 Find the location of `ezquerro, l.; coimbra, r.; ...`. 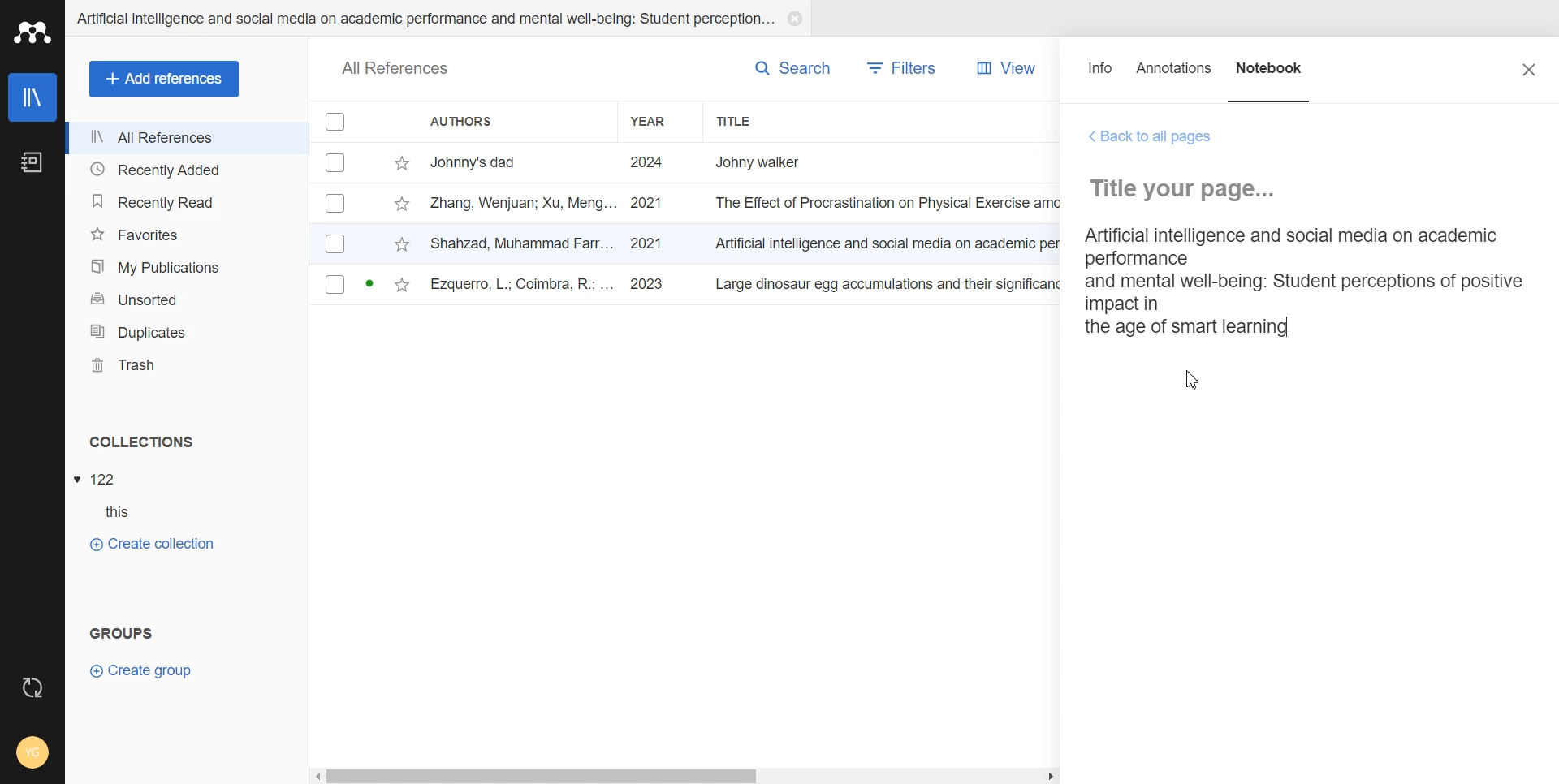

ezquerro, l.; coimbra, r.; ... is located at coordinates (524, 286).